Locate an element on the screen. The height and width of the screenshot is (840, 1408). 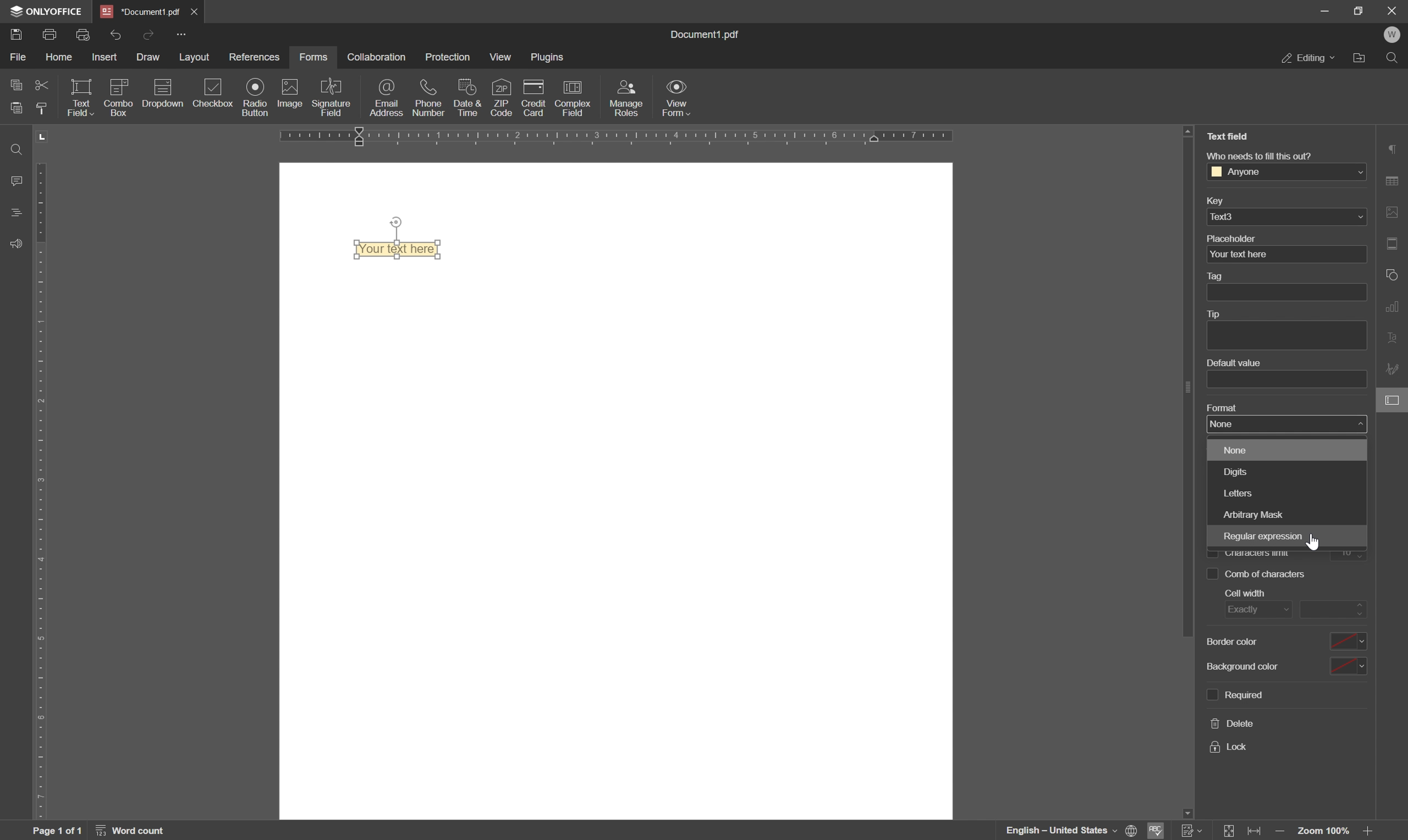
references is located at coordinates (255, 57).